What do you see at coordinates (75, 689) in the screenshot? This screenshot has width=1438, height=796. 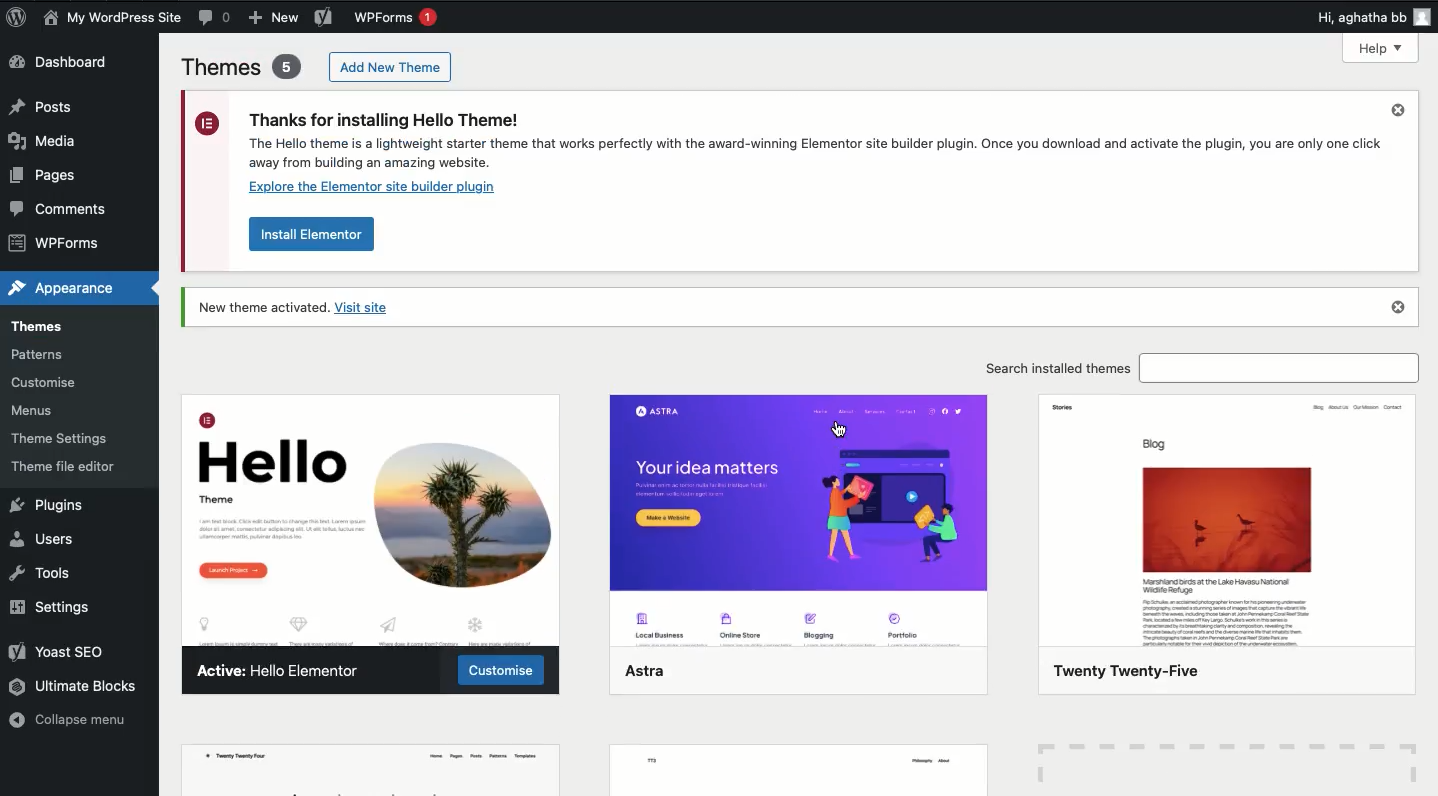 I see `Ultimate blocks` at bounding box center [75, 689].